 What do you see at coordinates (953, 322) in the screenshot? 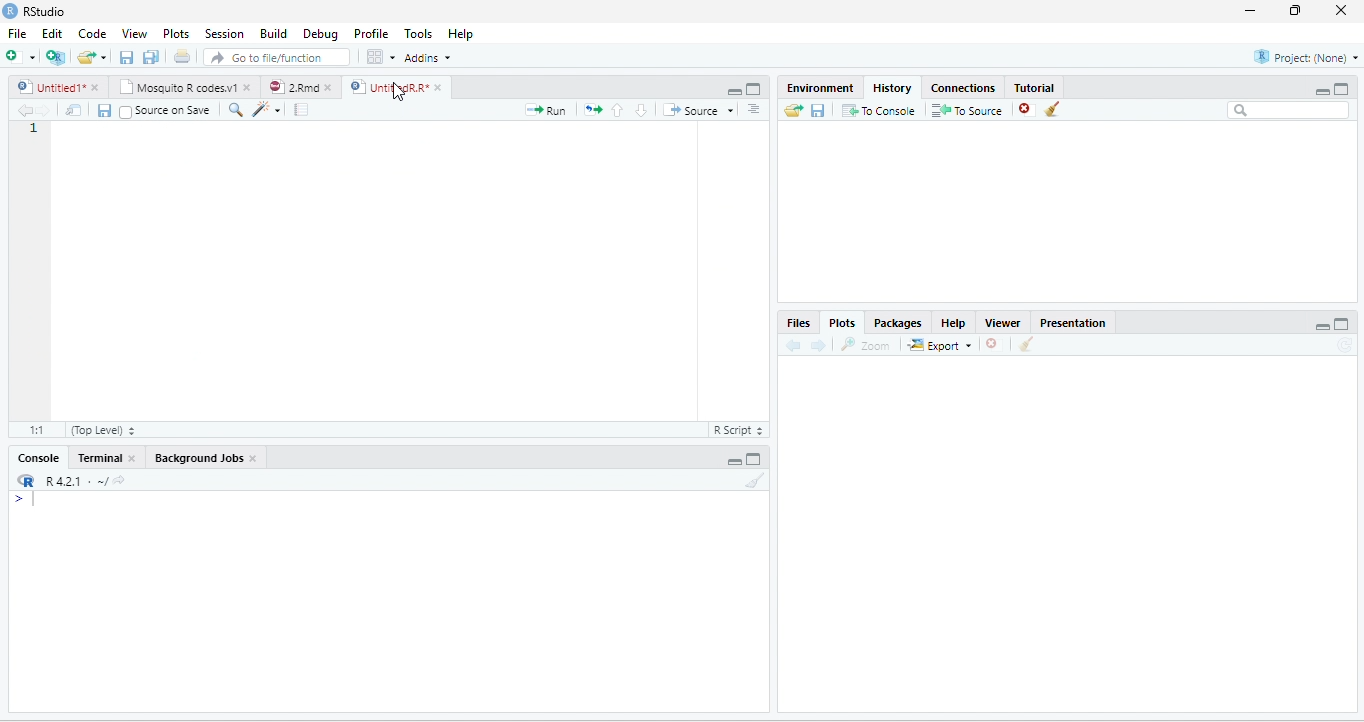
I see `Help` at bounding box center [953, 322].